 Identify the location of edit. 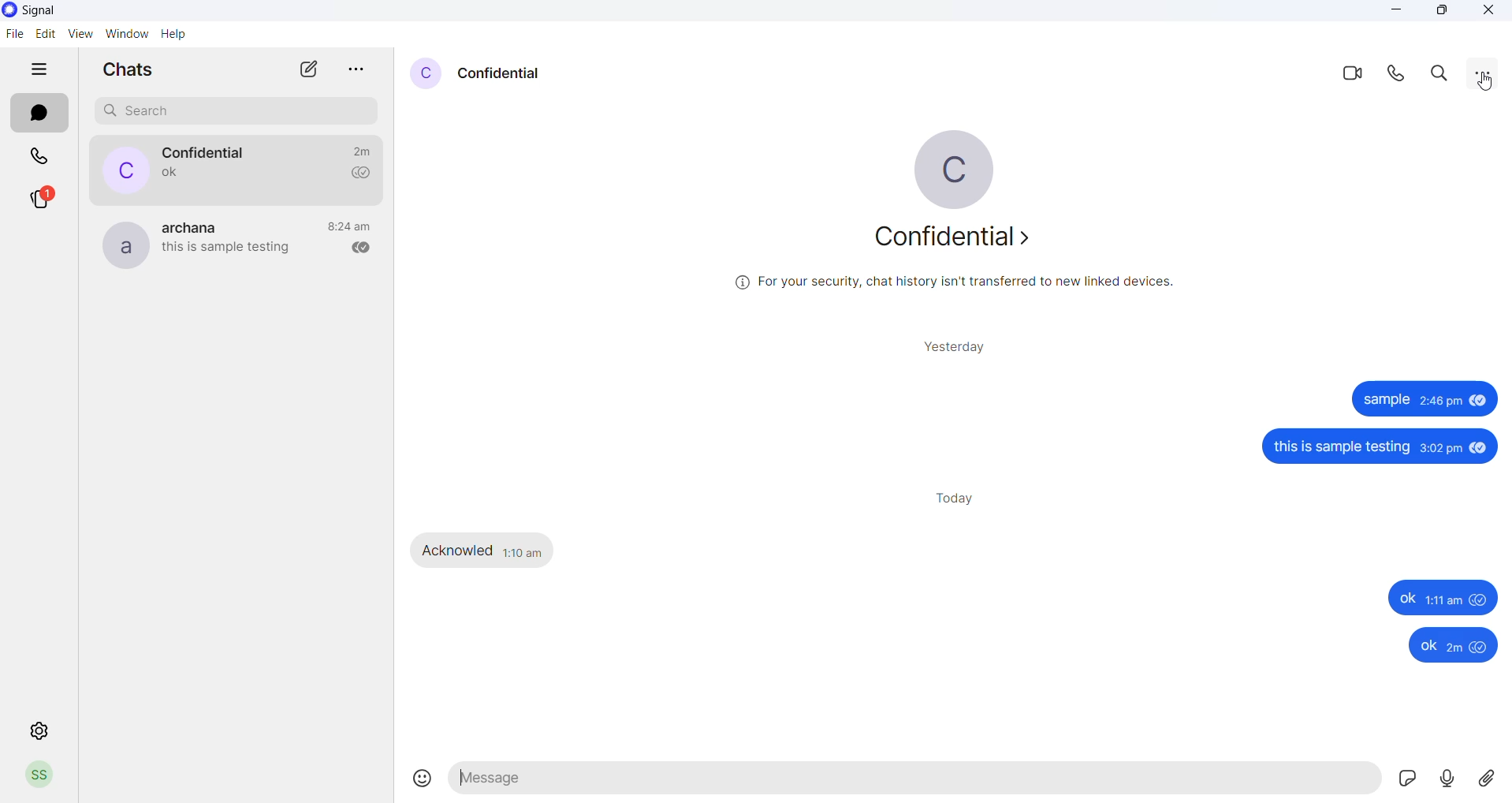
(44, 32).